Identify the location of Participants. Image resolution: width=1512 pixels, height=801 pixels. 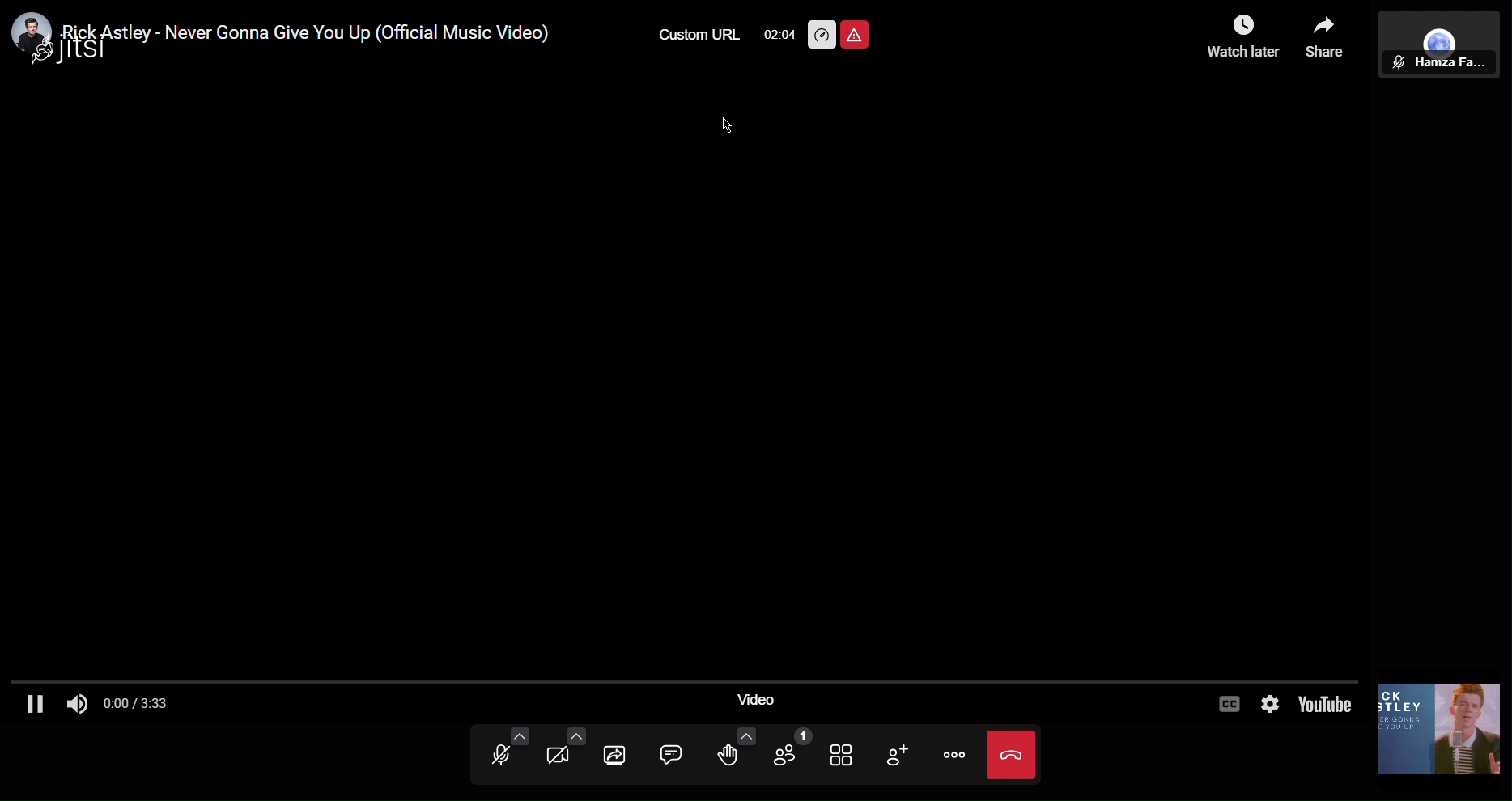
(788, 756).